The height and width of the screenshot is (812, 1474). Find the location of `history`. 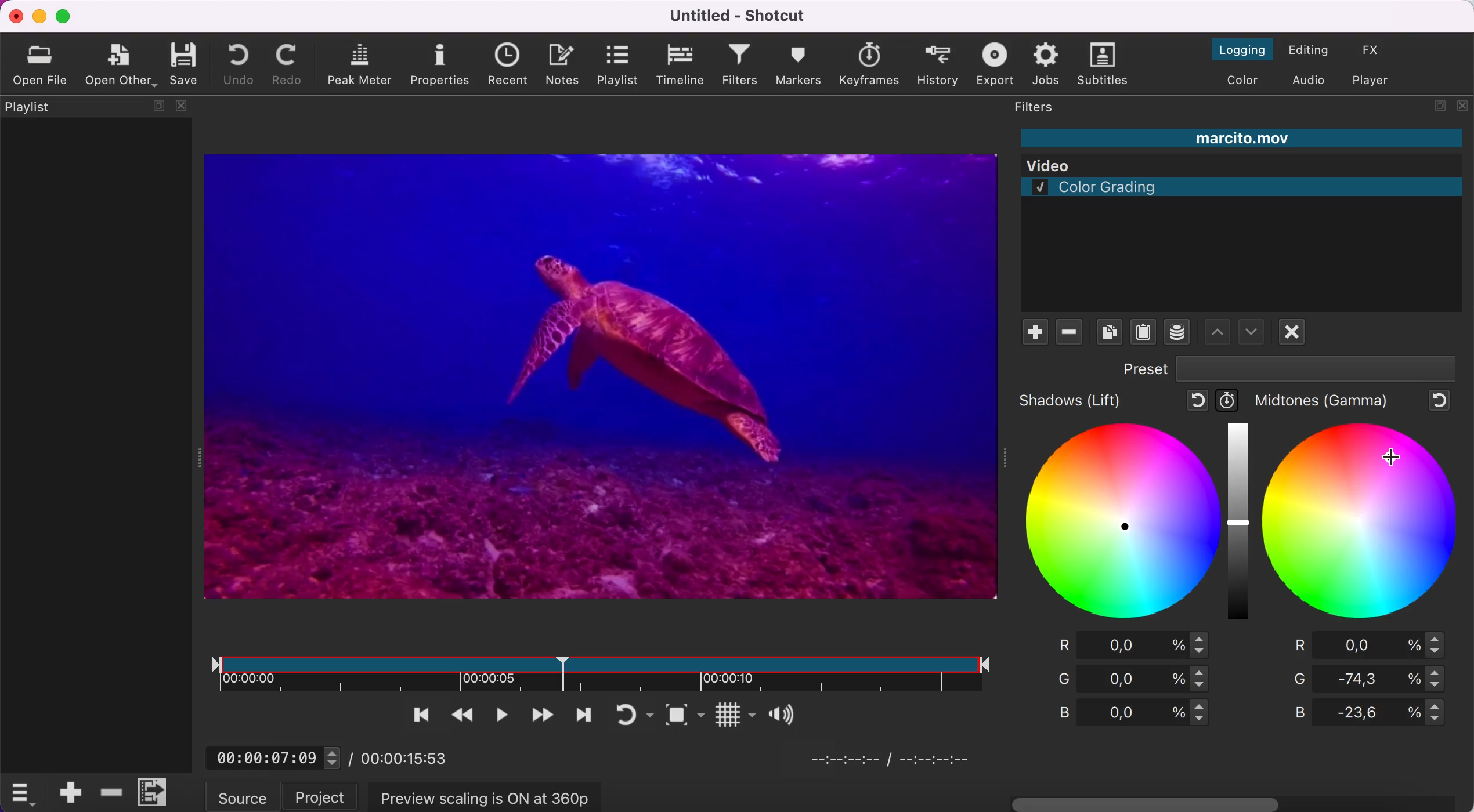

history is located at coordinates (939, 64).